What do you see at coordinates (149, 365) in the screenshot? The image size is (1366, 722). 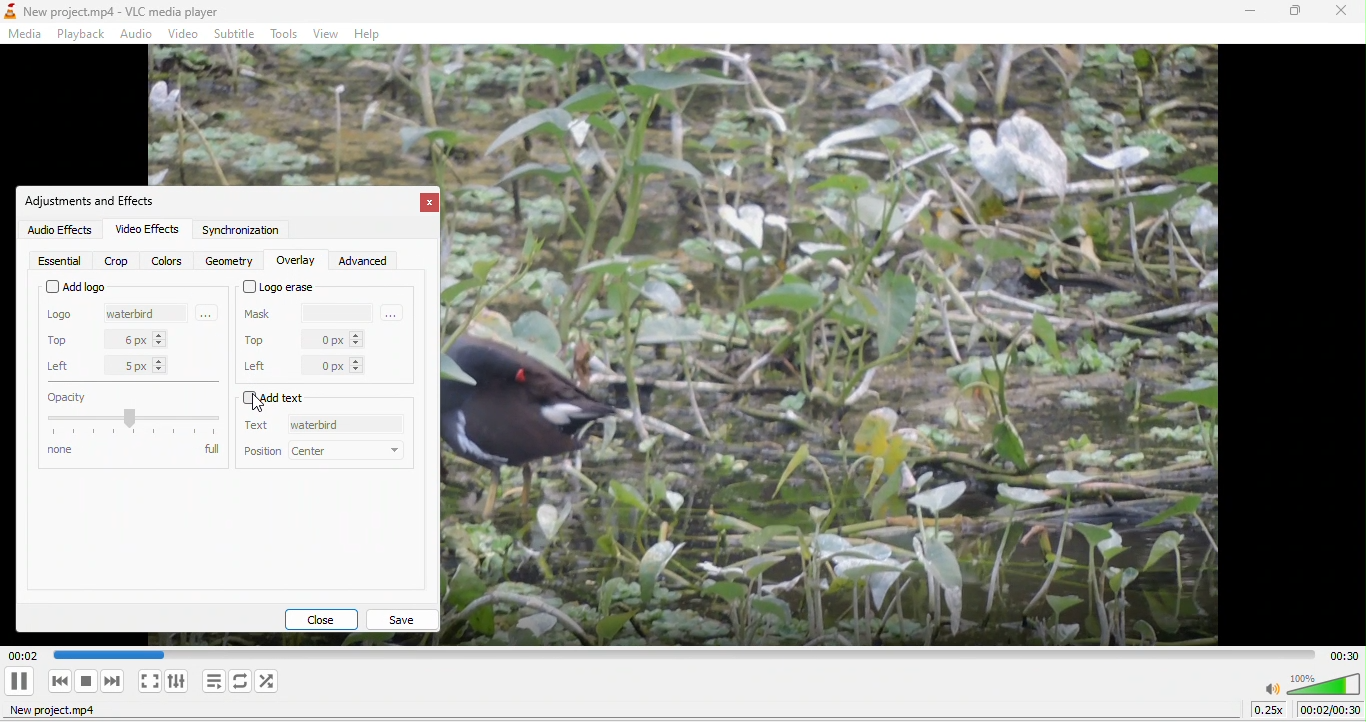 I see `5 px` at bounding box center [149, 365].